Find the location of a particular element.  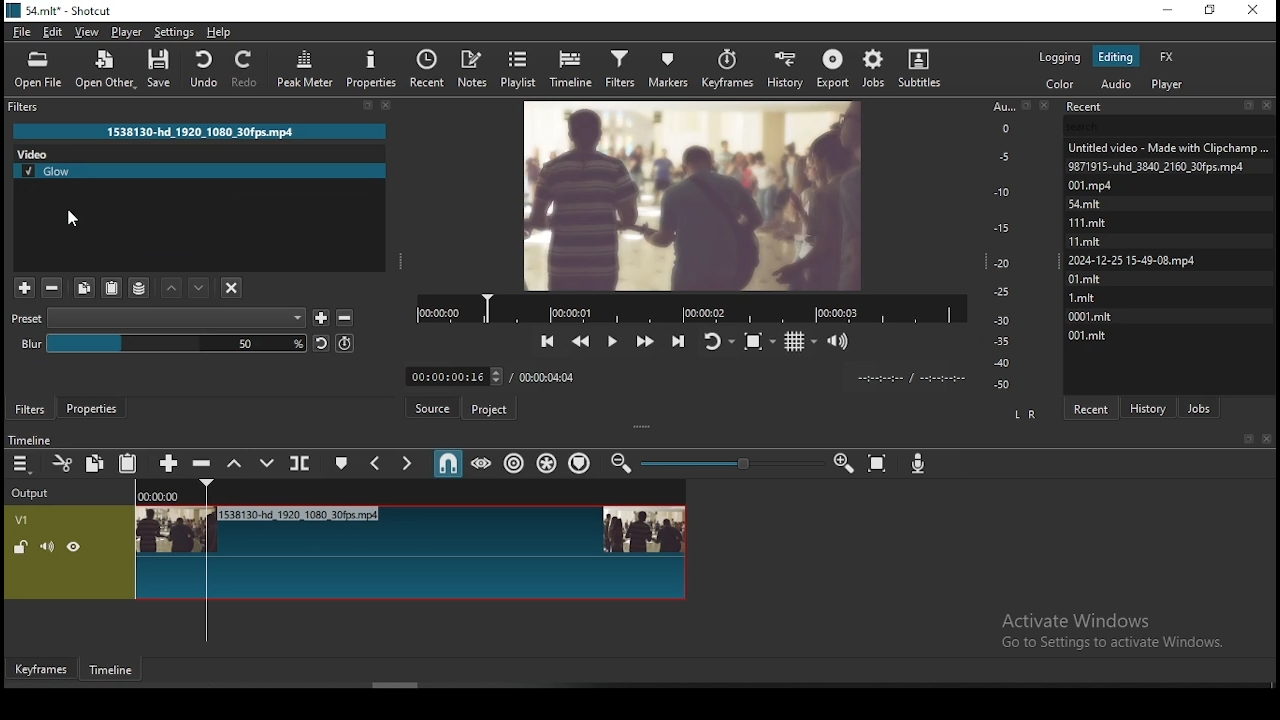

deselect filter is located at coordinates (232, 288).